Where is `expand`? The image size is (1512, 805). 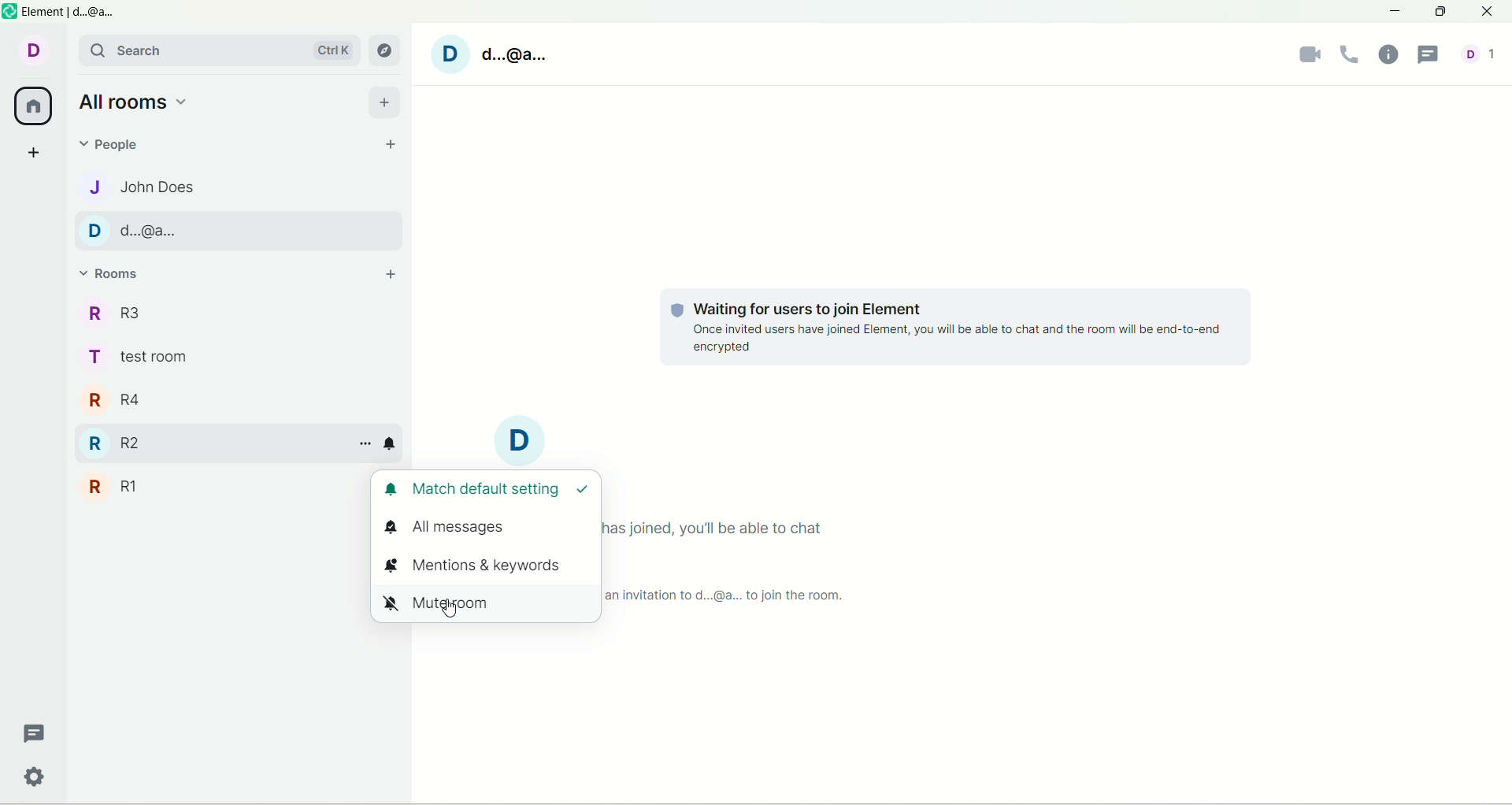 expand is located at coordinates (242, 514).